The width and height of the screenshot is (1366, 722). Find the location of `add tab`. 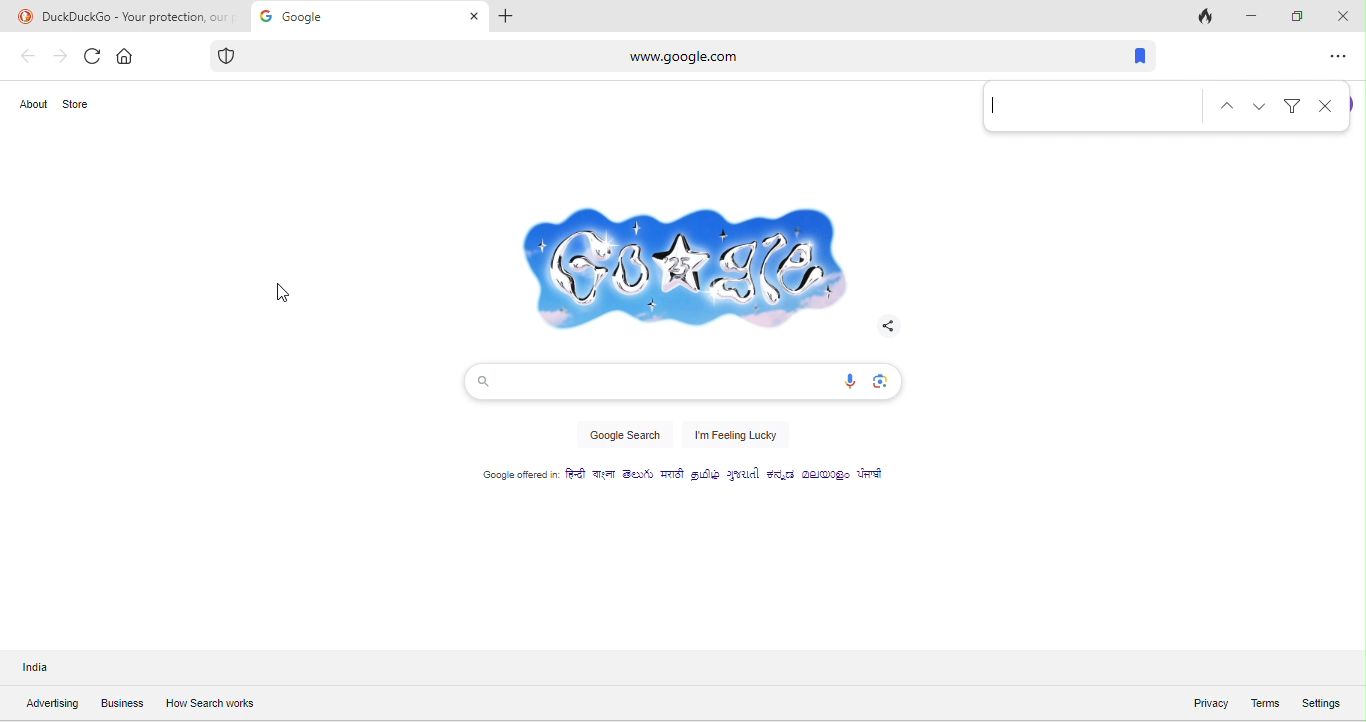

add tab is located at coordinates (510, 16).